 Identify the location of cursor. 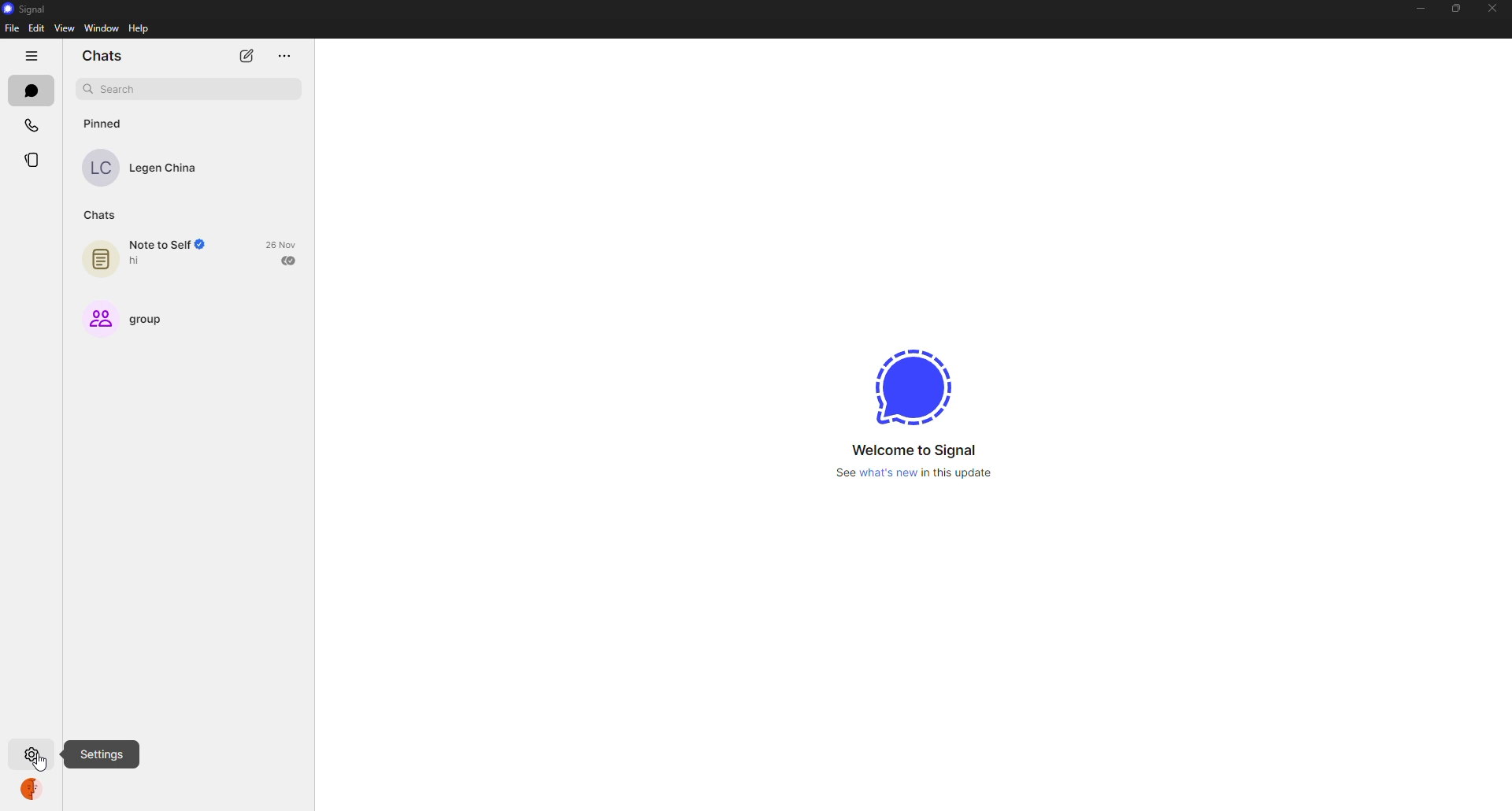
(40, 761).